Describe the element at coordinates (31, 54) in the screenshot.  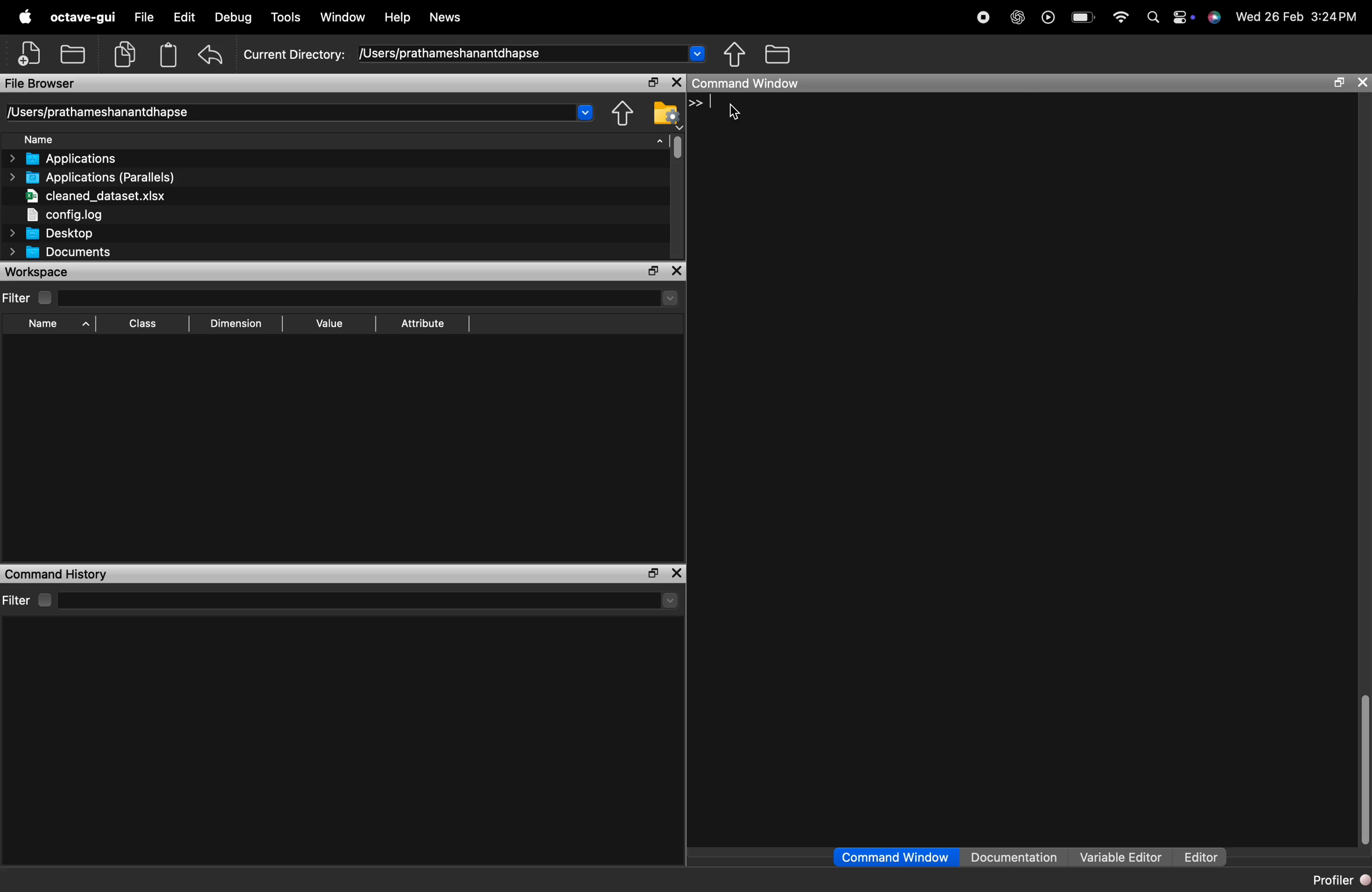
I see `New Script` at that location.